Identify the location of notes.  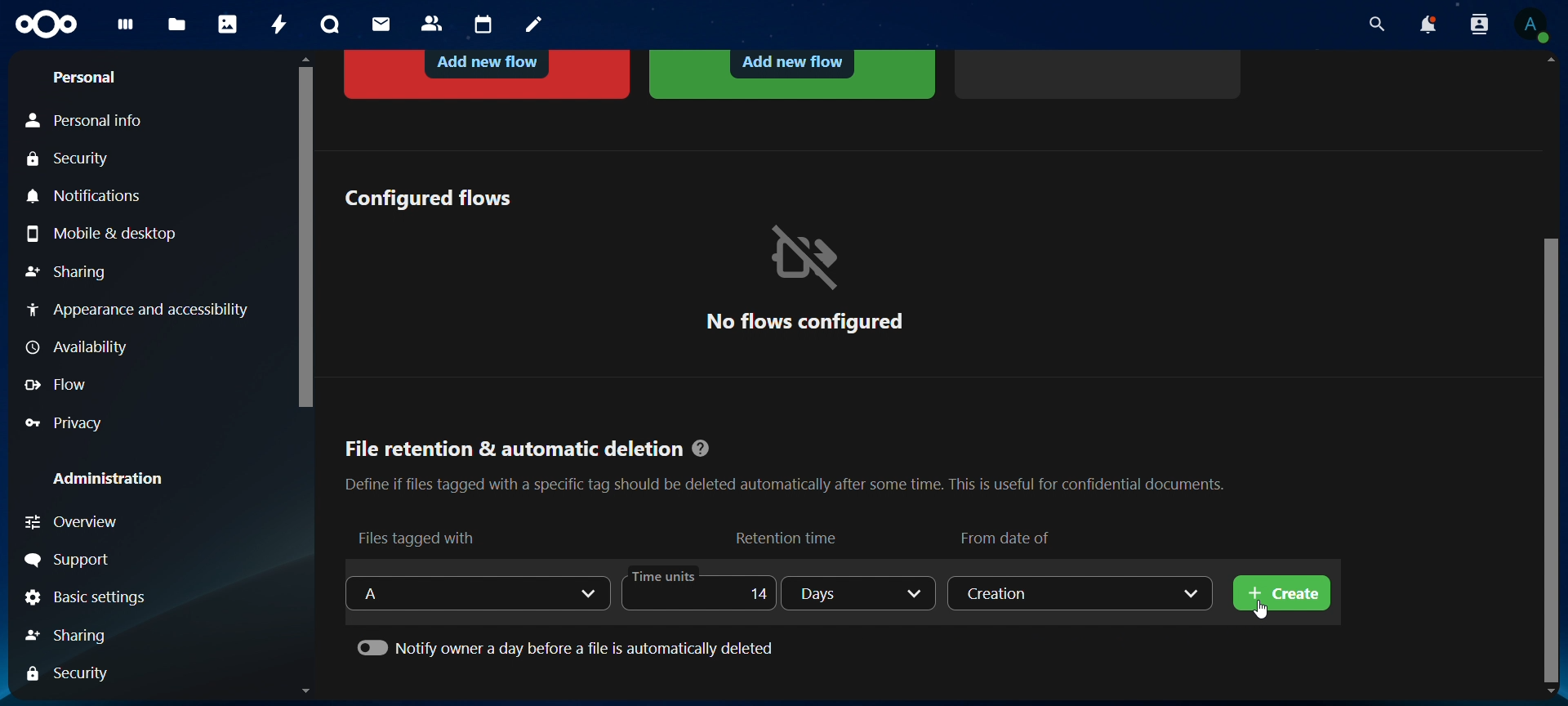
(537, 25).